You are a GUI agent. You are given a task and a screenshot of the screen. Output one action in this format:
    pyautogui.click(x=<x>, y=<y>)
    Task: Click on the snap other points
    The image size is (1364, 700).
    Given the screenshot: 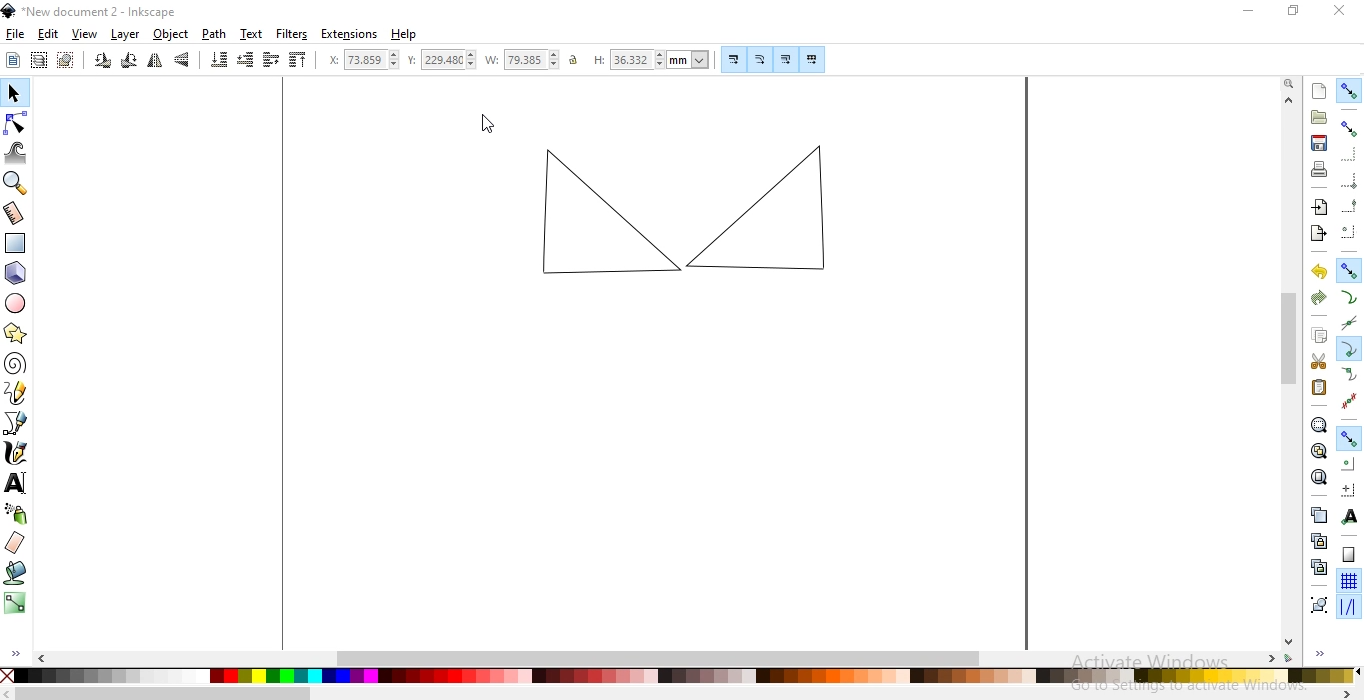 What is the action you would take?
    pyautogui.click(x=1350, y=438)
    